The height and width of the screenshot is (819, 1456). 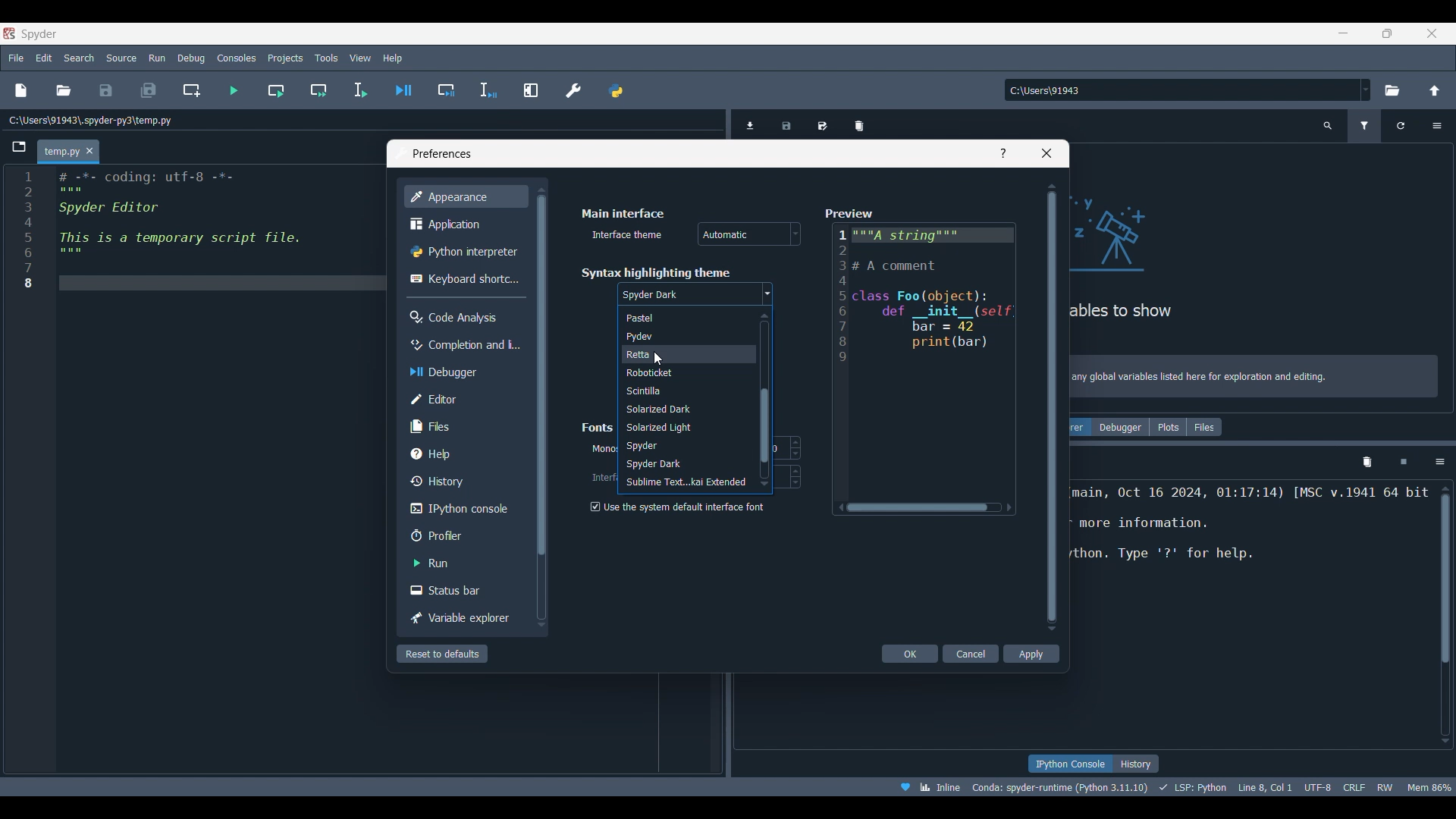 What do you see at coordinates (574, 90) in the screenshot?
I see `Preferences` at bounding box center [574, 90].